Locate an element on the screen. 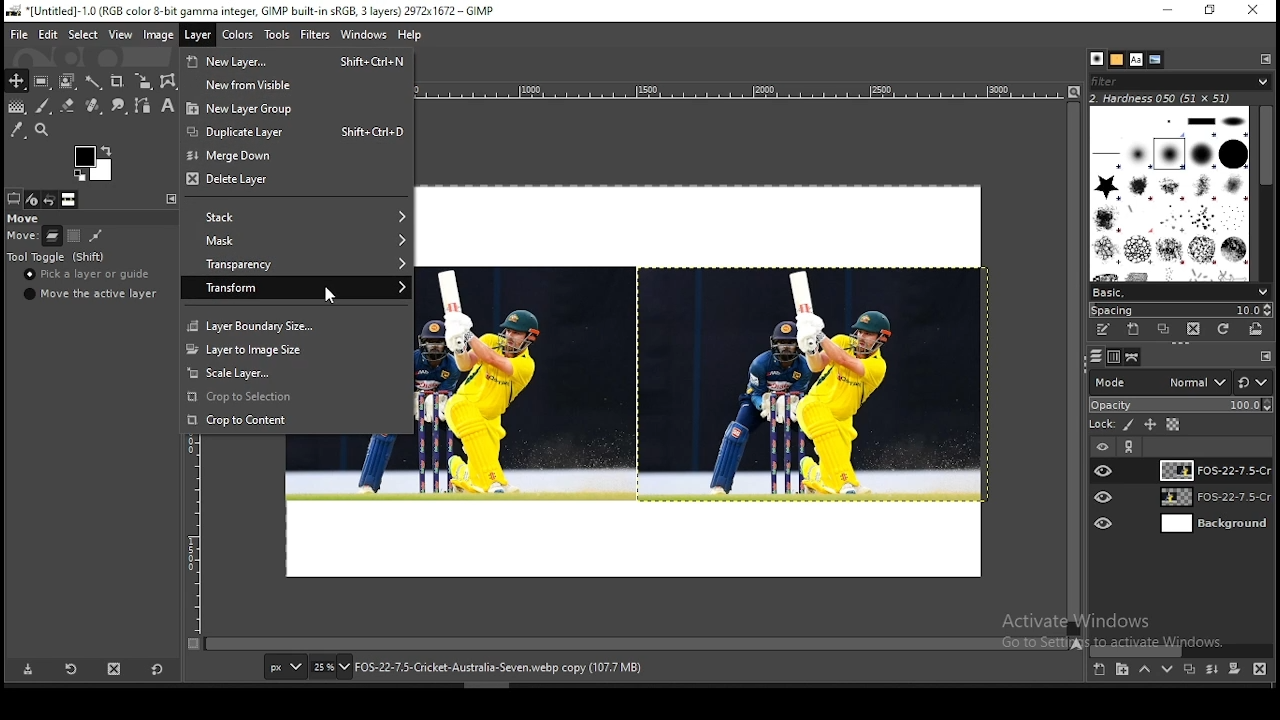 This screenshot has height=720, width=1280. merge layer is located at coordinates (1212, 669).